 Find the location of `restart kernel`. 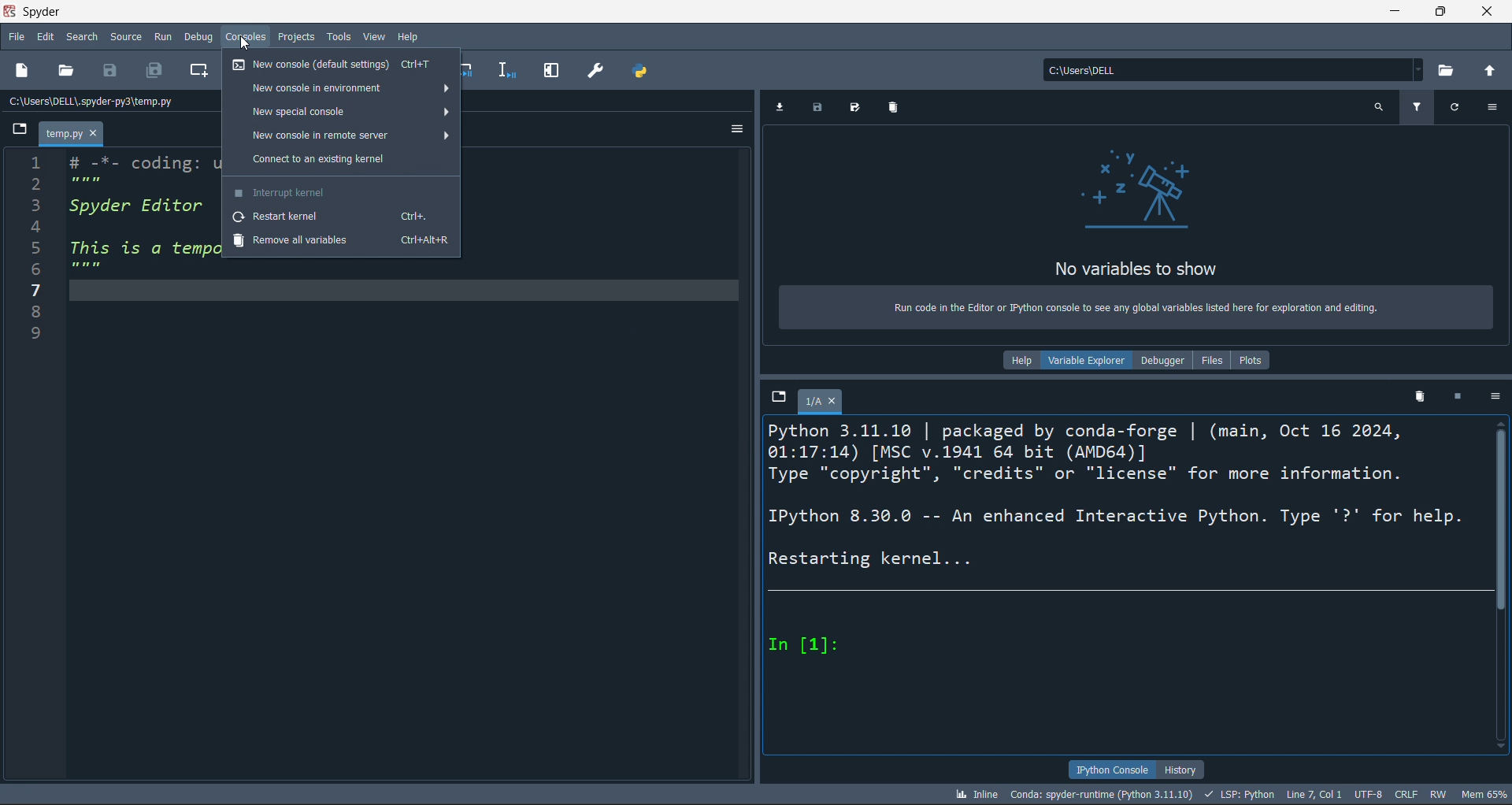

restart kernel is located at coordinates (339, 217).